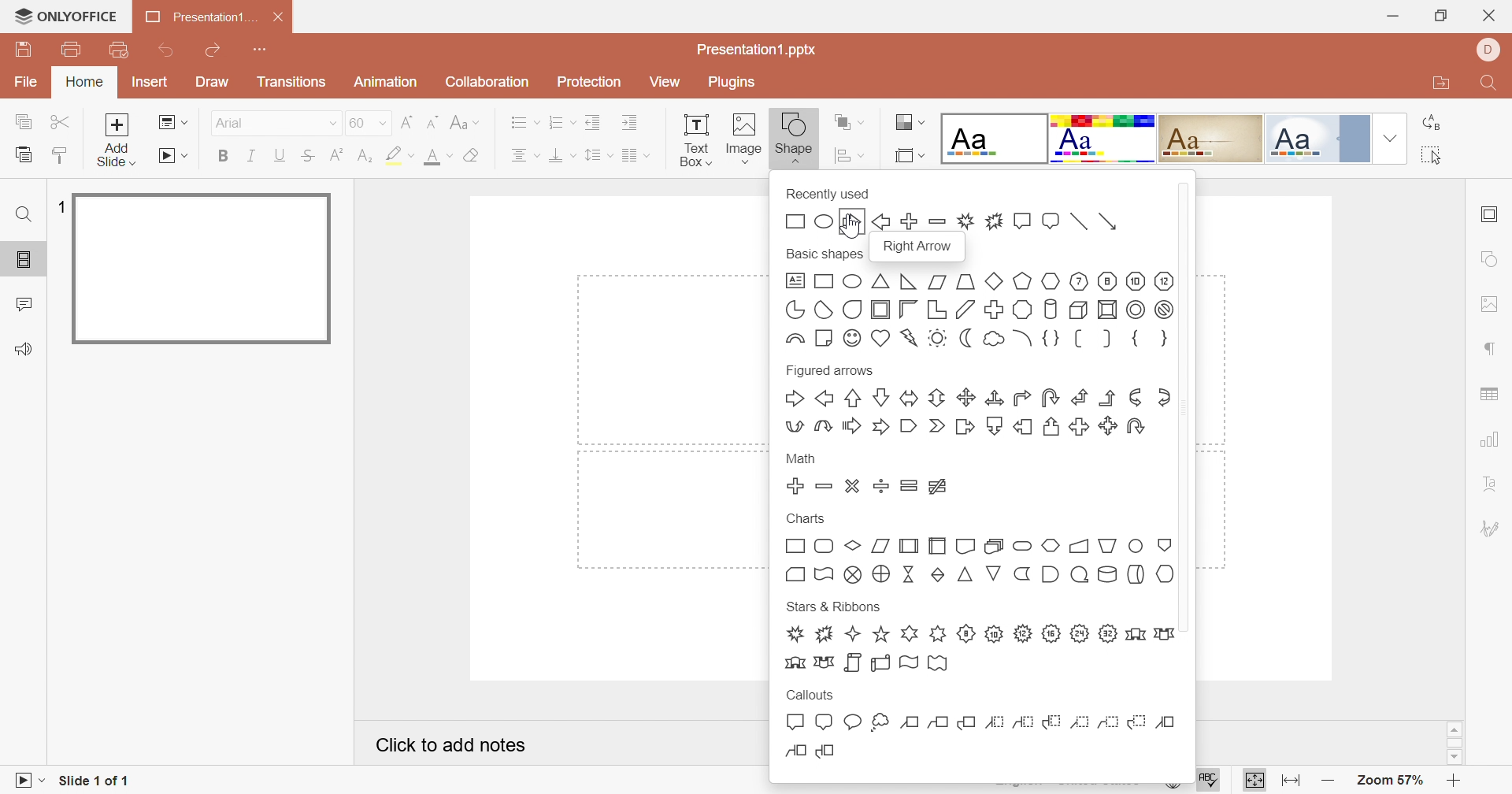 The image size is (1512, 794). I want to click on Customize Quick Access Toolbar, so click(261, 47).